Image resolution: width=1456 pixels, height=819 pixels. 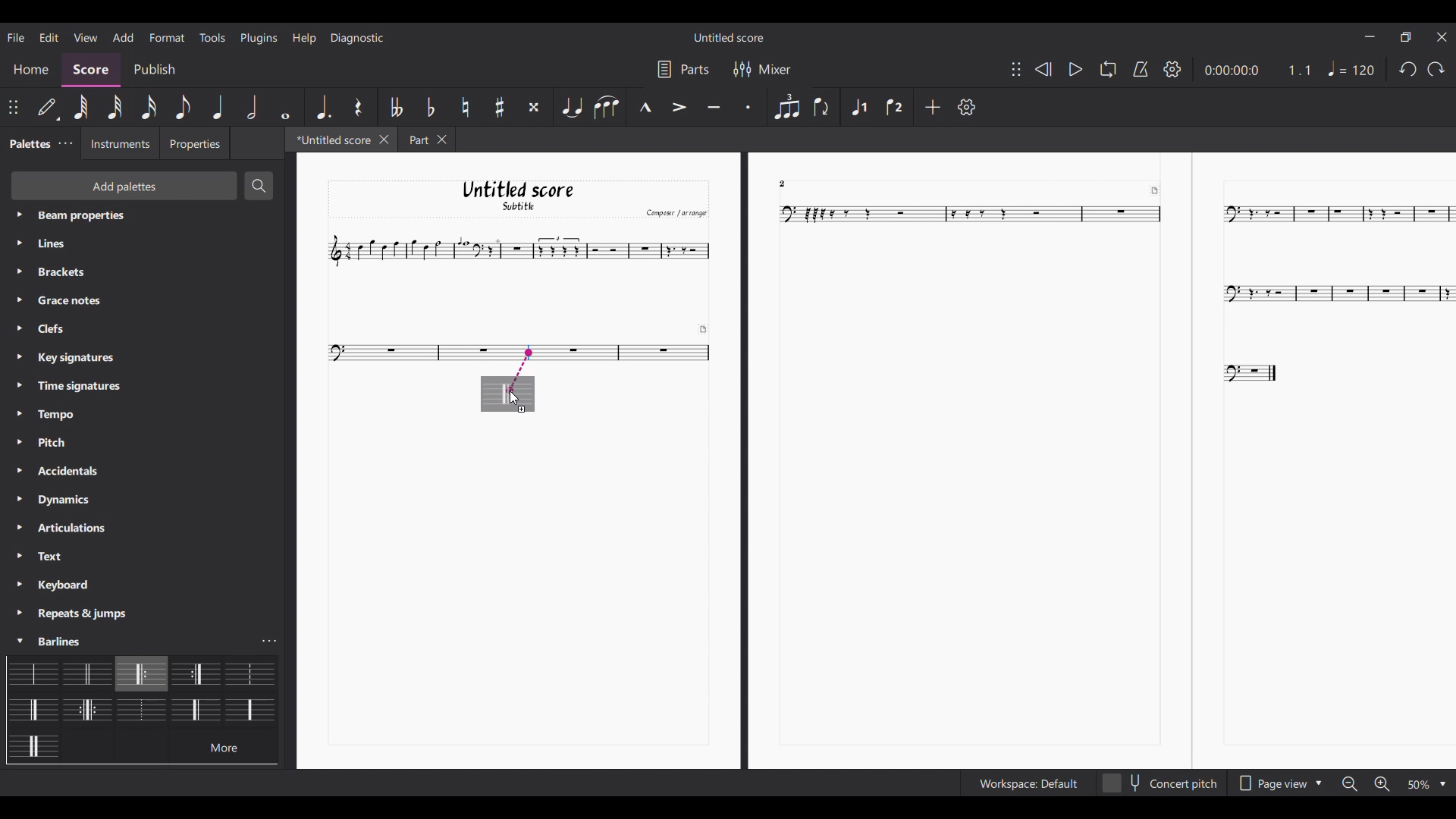 I want to click on Add menu, so click(x=123, y=37).